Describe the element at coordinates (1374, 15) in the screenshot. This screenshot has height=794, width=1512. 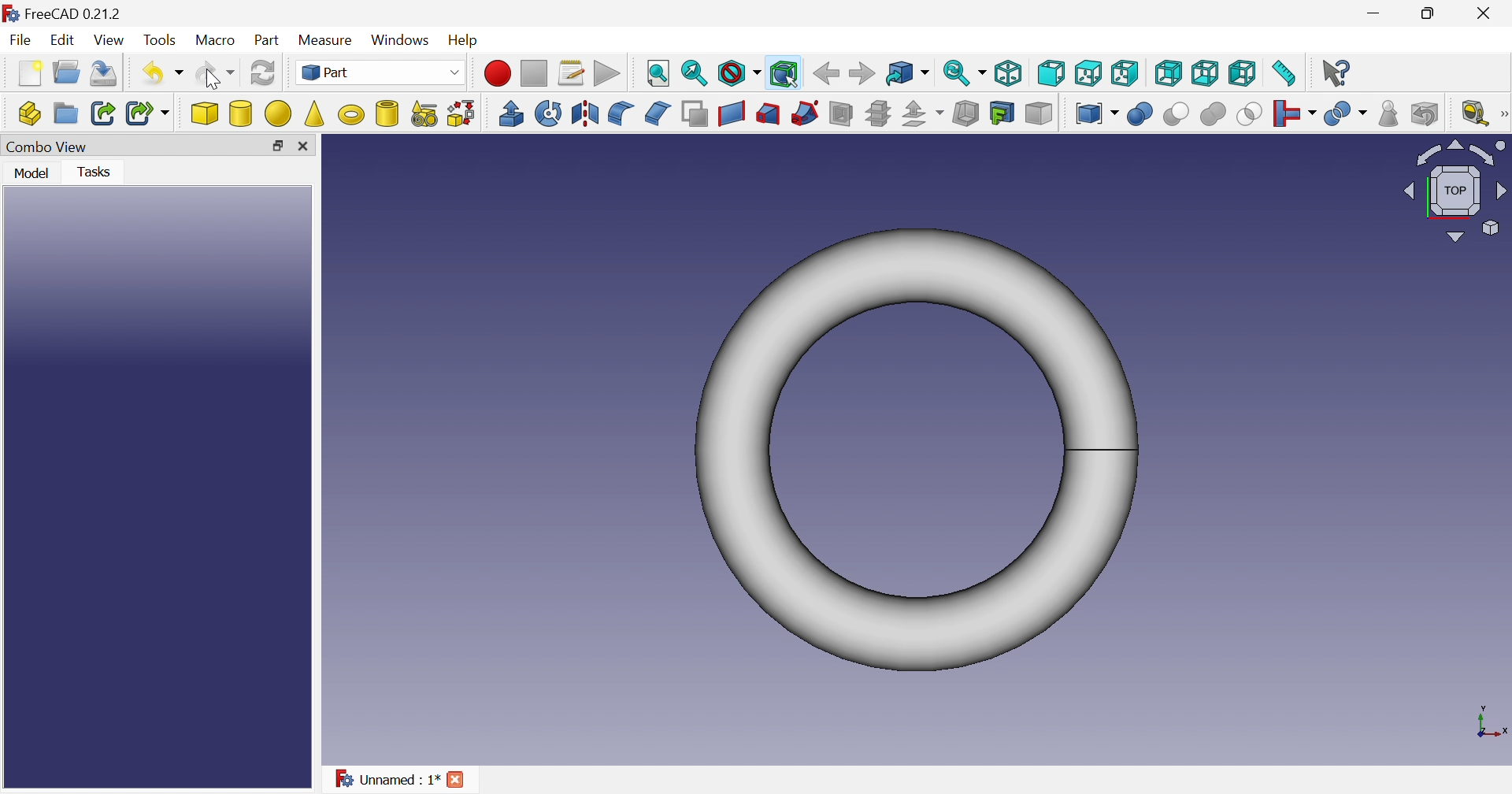
I see `Minimize` at that location.